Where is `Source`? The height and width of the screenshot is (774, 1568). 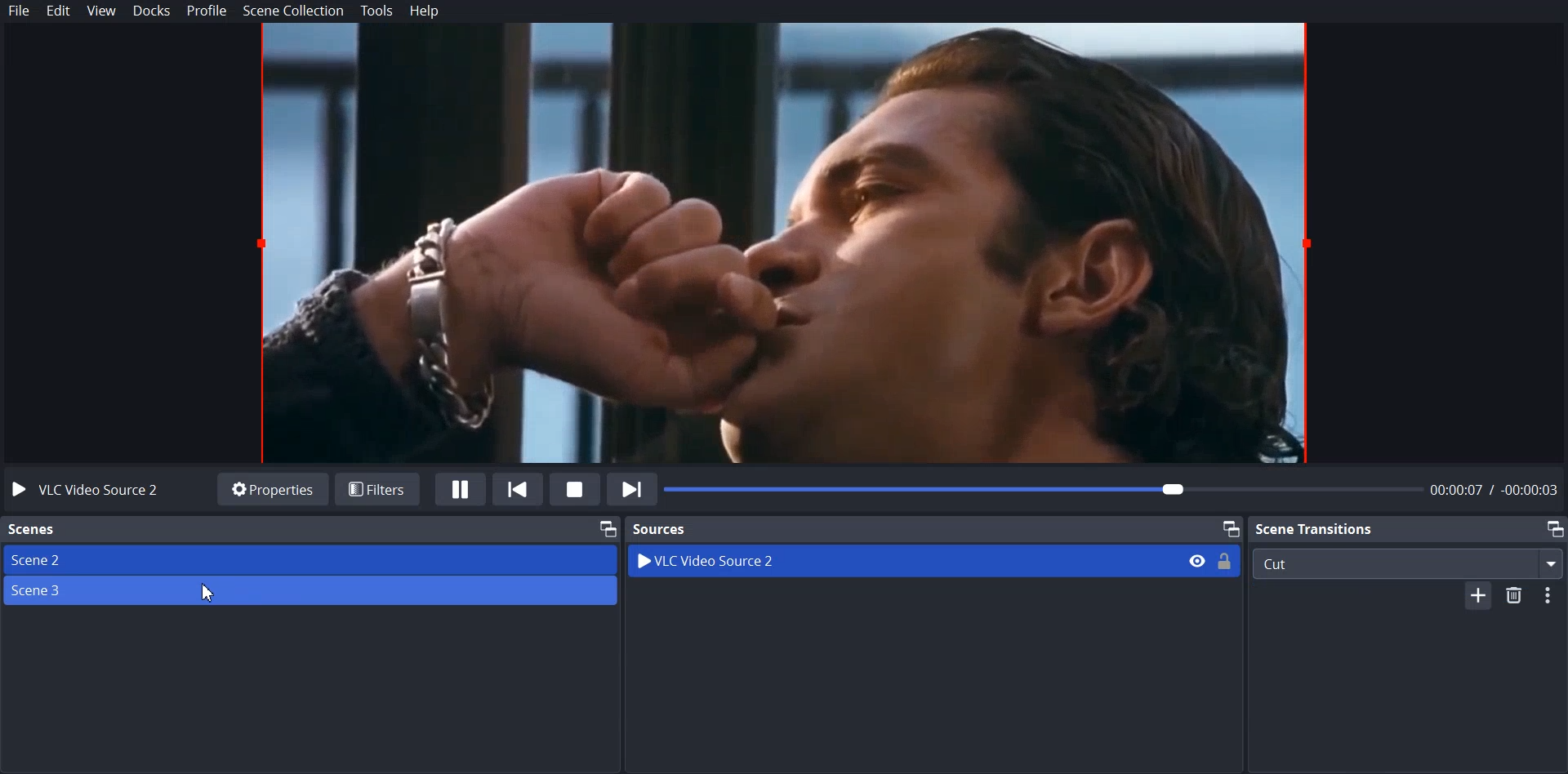 Source is located at coordinates (661, 528).